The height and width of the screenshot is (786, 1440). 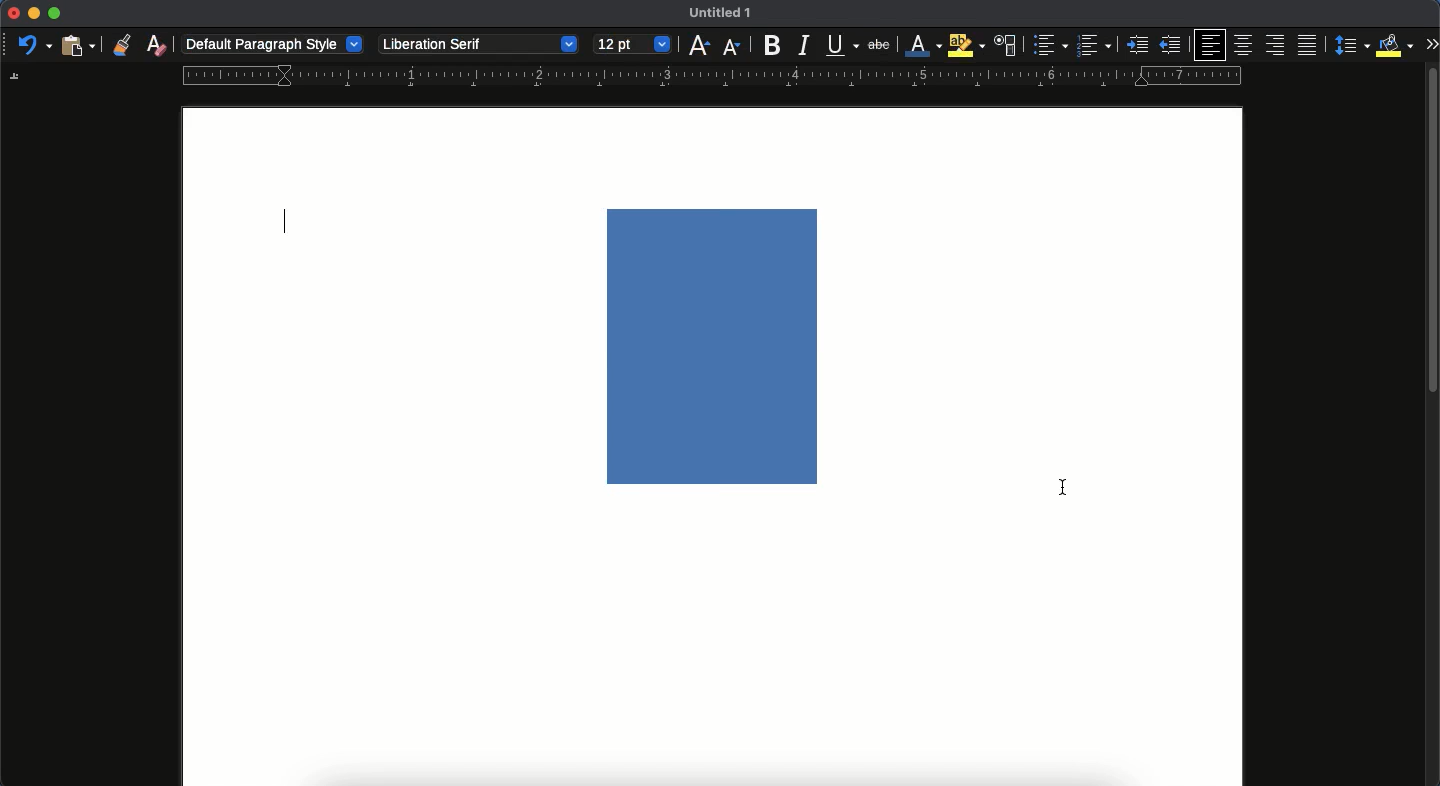 What do you see at coordinates (922, 45) in the screenshot?
I see `font color` at bounding box center [922, 45].